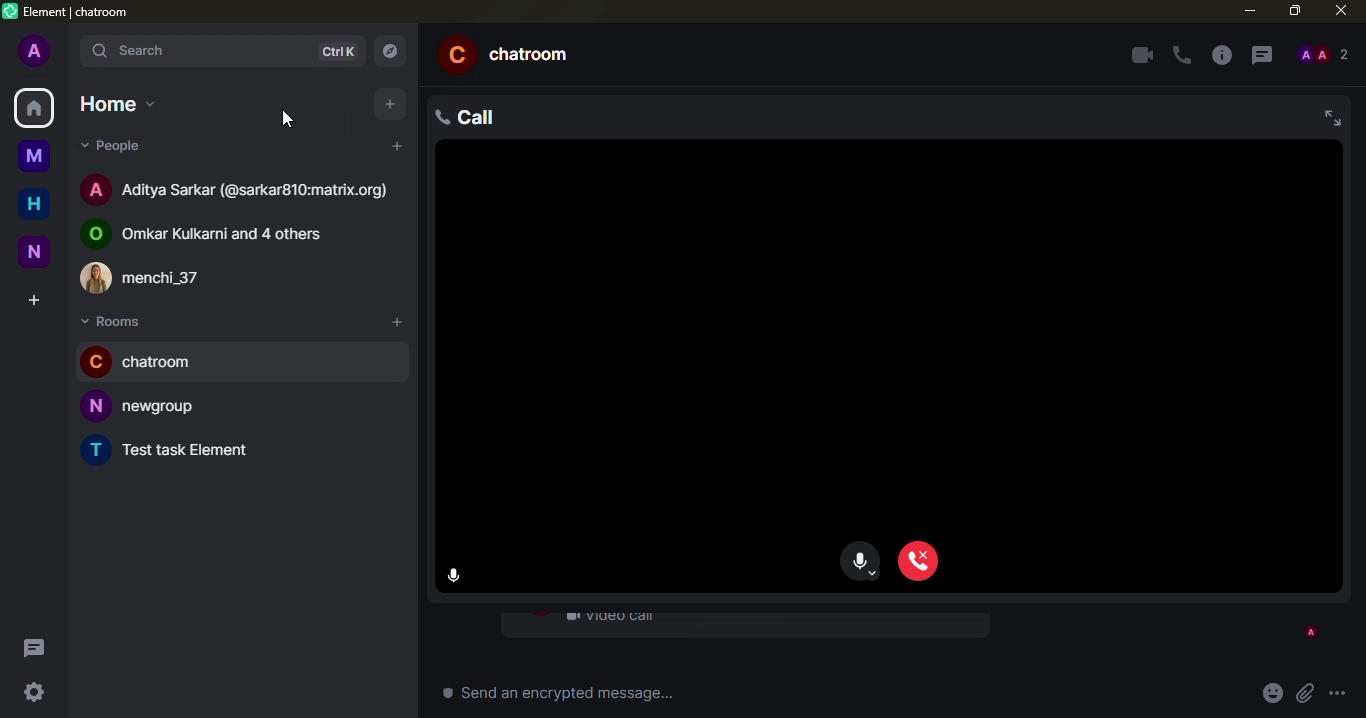 The height and width of the screenshot is (718, 1366). Describe the element at coordinates (35, 52) in the screenshot. I see `profile` at that location.